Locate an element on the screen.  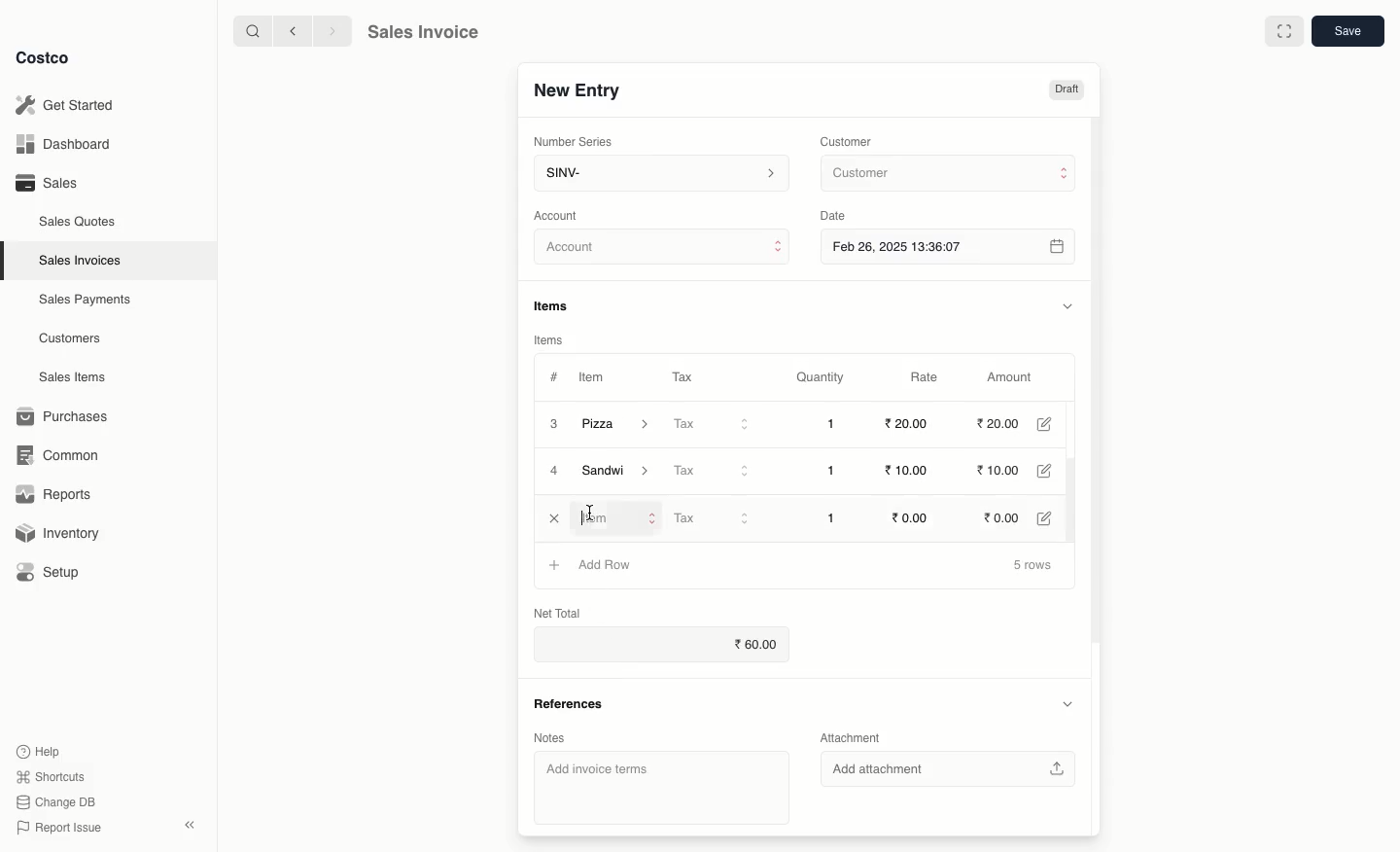
‘Number Series is located at coordinates (570, 142).